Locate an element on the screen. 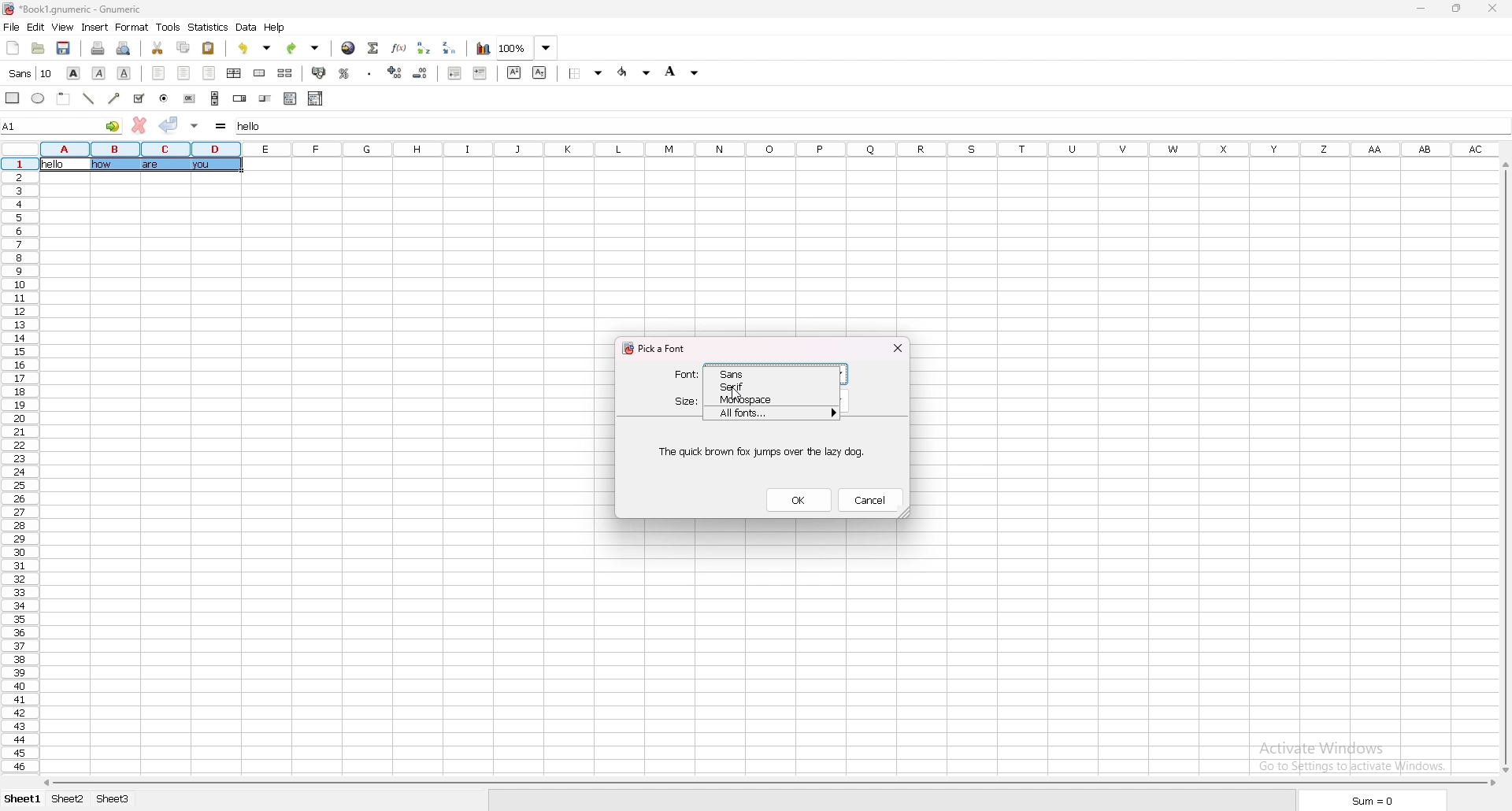 The height and width of the screenshot is (811, 1512). sheet 2 is located at coordinates (69, 799).